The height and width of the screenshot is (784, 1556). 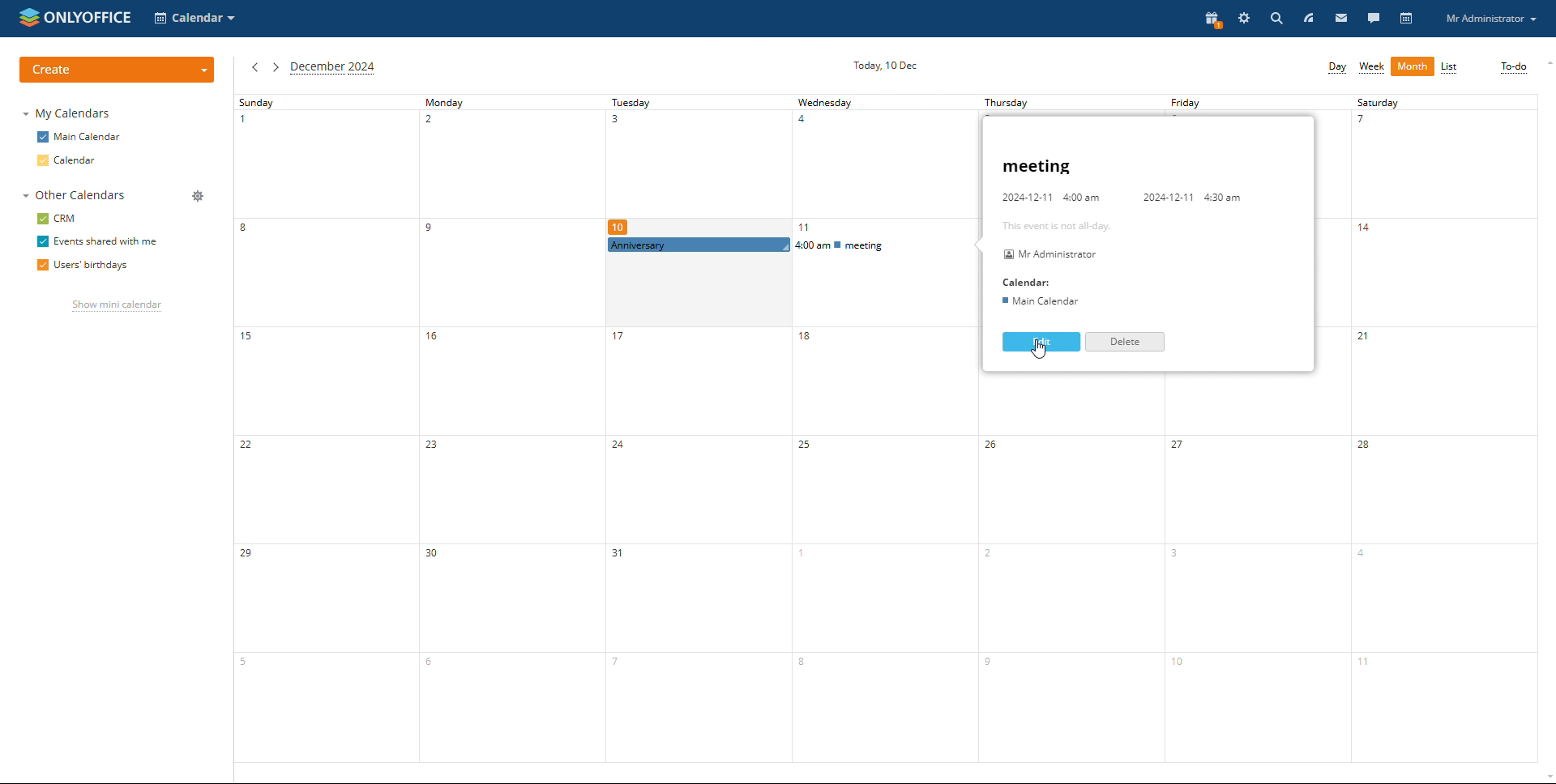 What do you see at coordinates (1372, 66) in the screenshot?
I see `week view` at bounding box center [1372, 66].